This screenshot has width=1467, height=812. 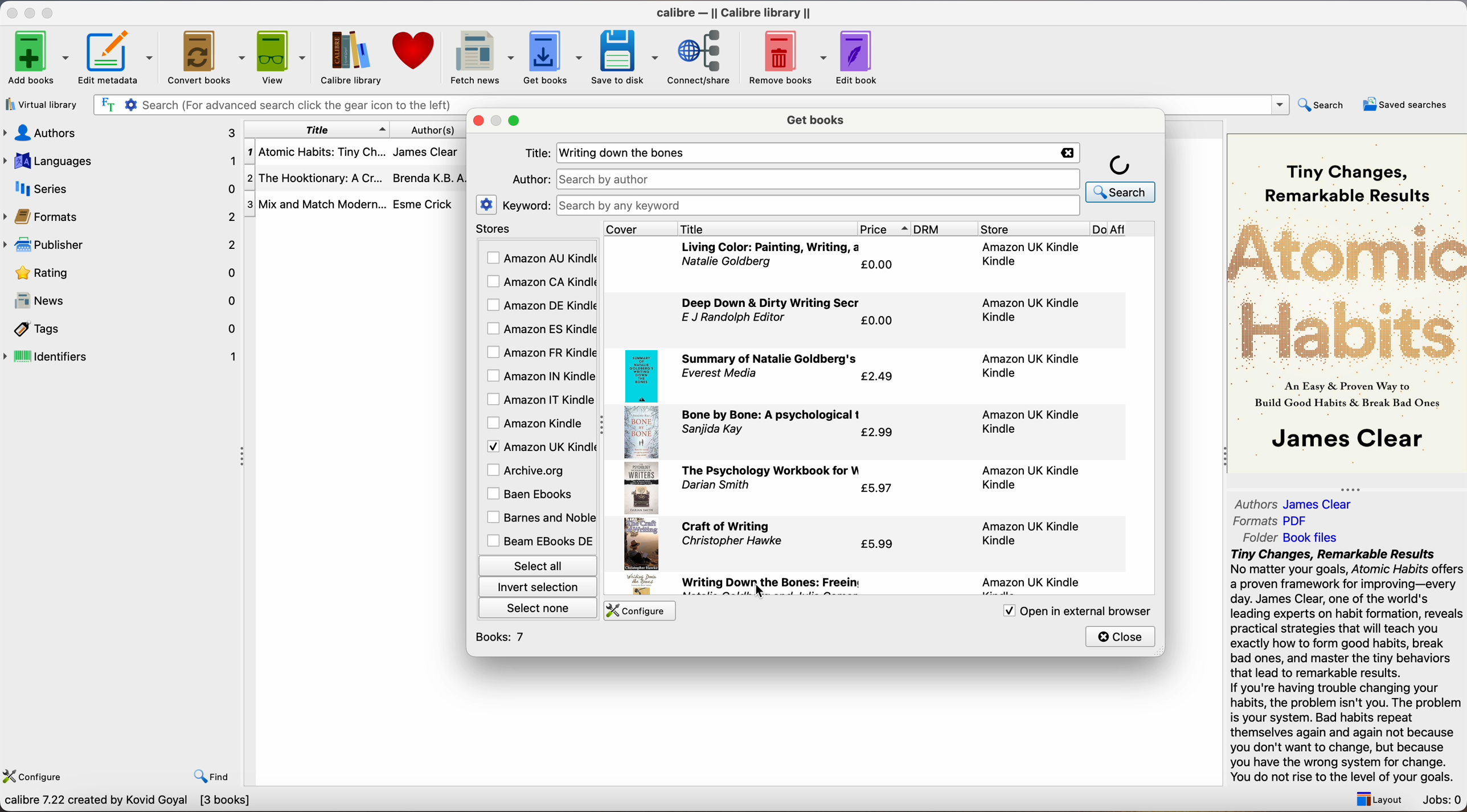 I want to click on craft of writing, so click(x=726, y=527).